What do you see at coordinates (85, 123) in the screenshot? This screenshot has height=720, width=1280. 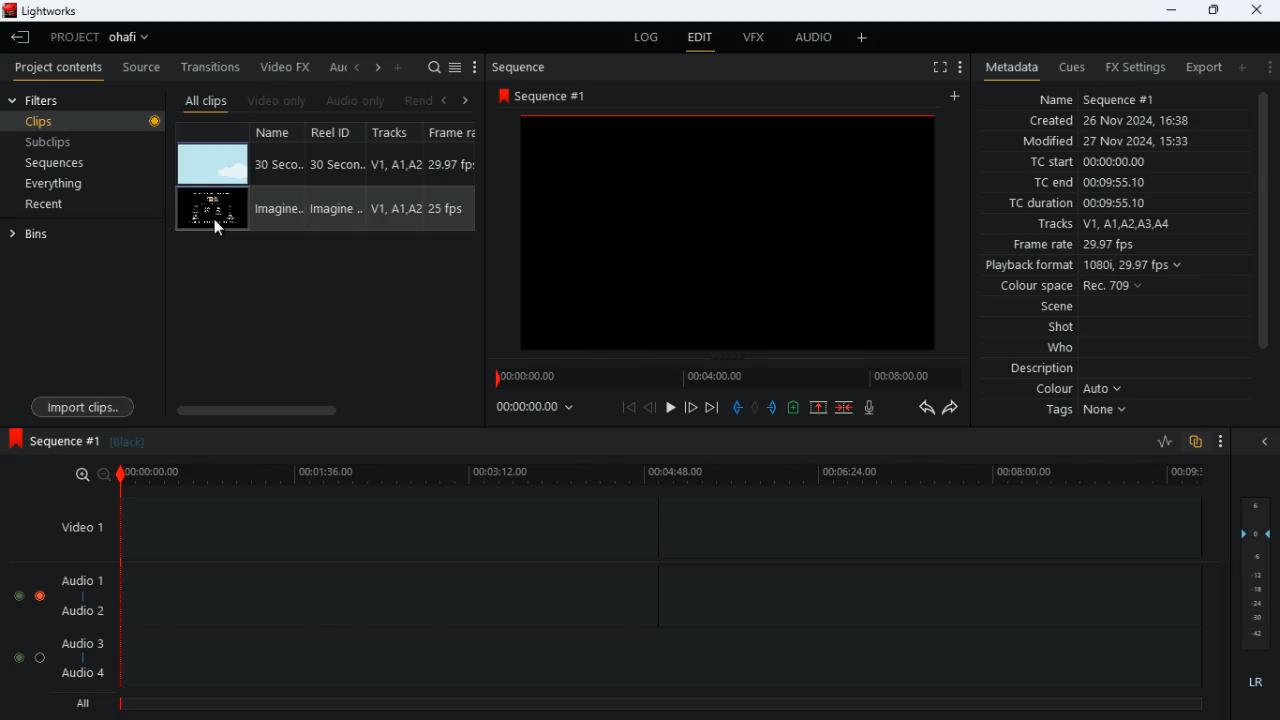 I see `clips` at bounding box center [85, 123].